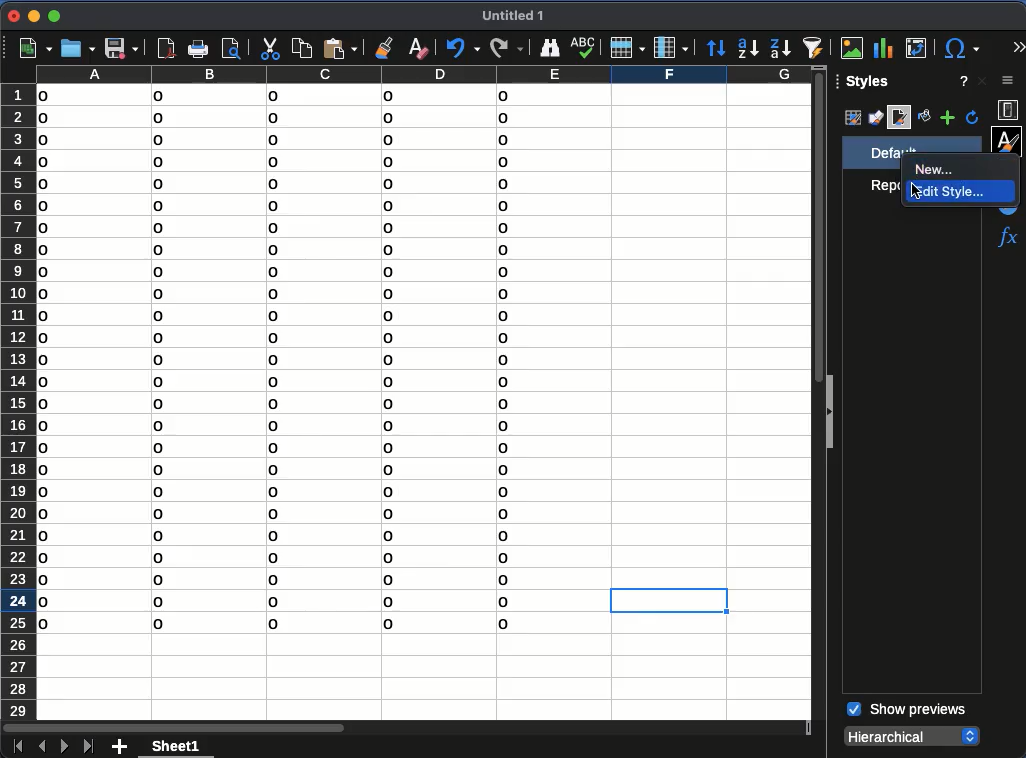  I want to click on finder, so click(550, 47).